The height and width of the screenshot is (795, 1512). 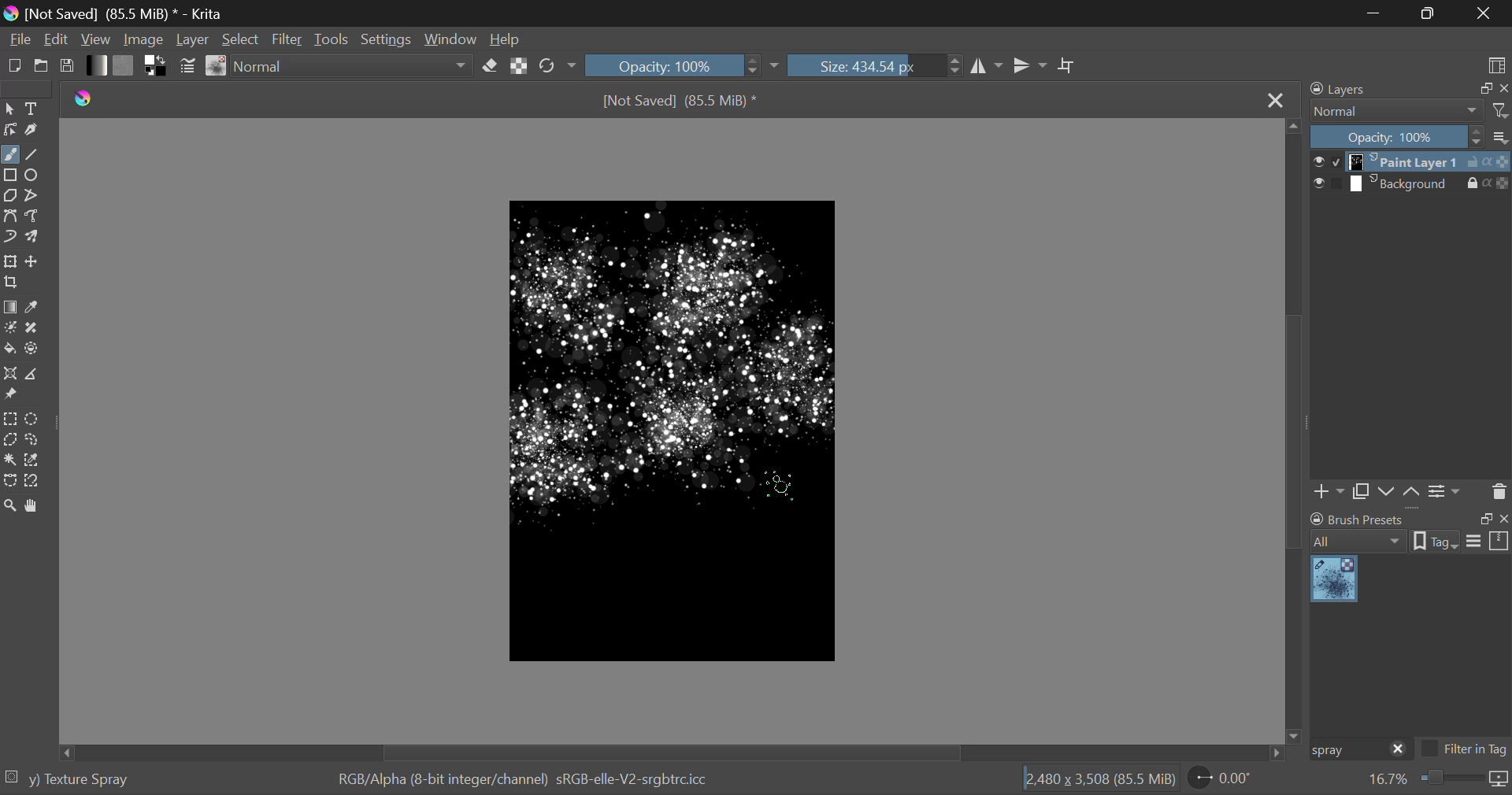 What do you see at coordinates (1431, 12) in the screenshot?
I see `Minimize` at bounding box center [1431, 12].